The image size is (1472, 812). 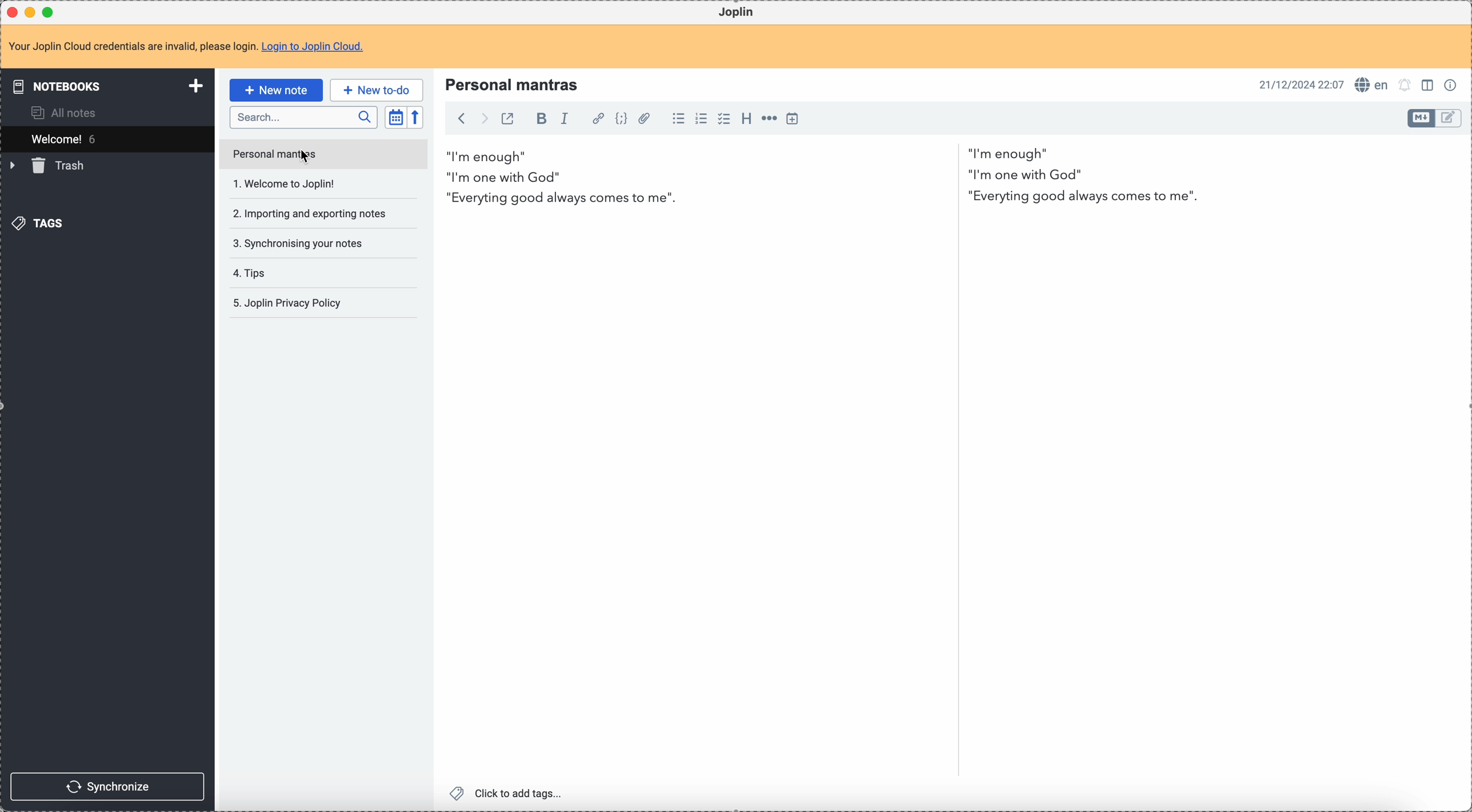 What do you see at coordinates (32, 13) in the screenshot?
I see `minimize program` at bounding box center [32, 13].